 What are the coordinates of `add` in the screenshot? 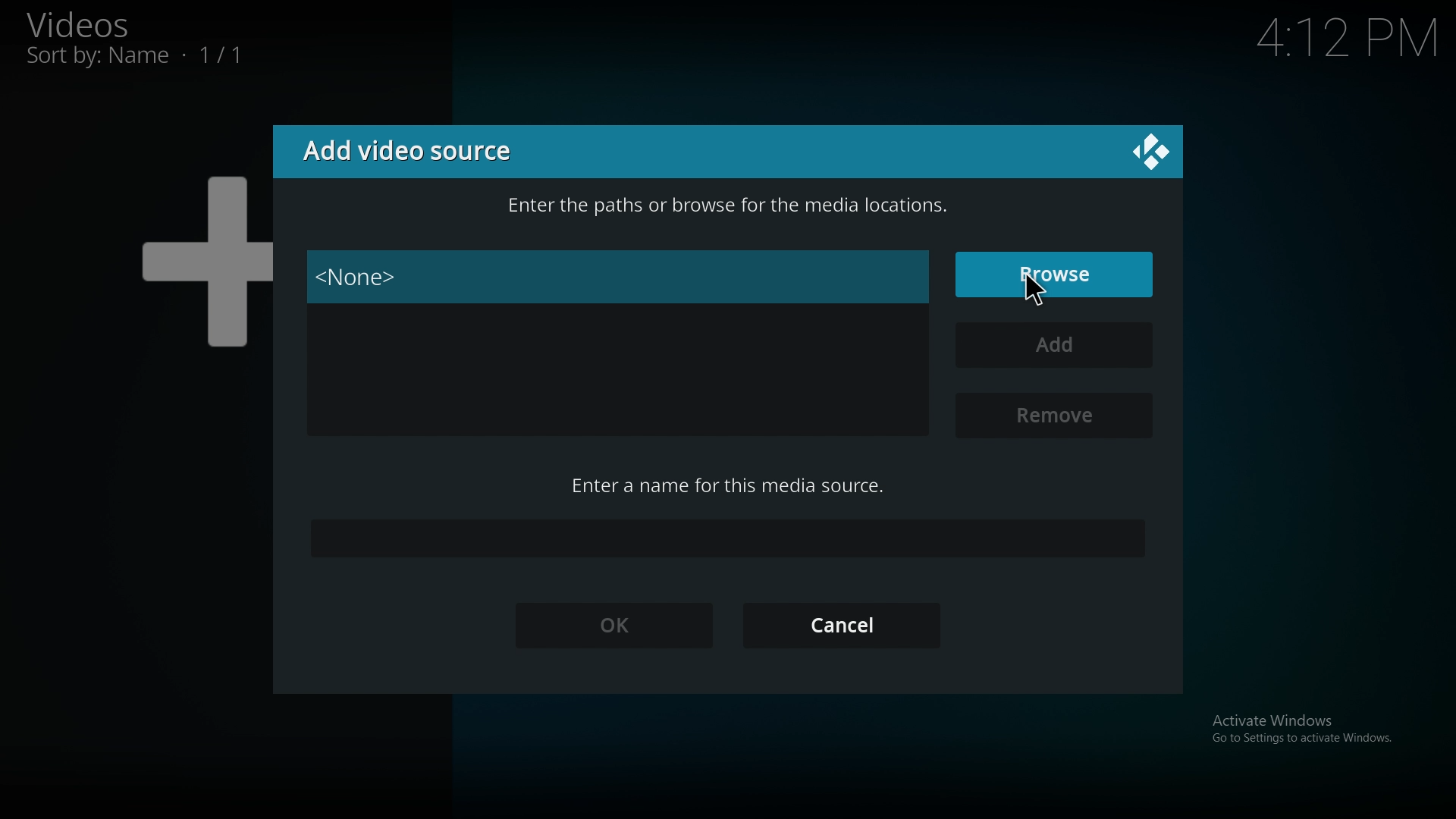 It's located at (1056, 346).